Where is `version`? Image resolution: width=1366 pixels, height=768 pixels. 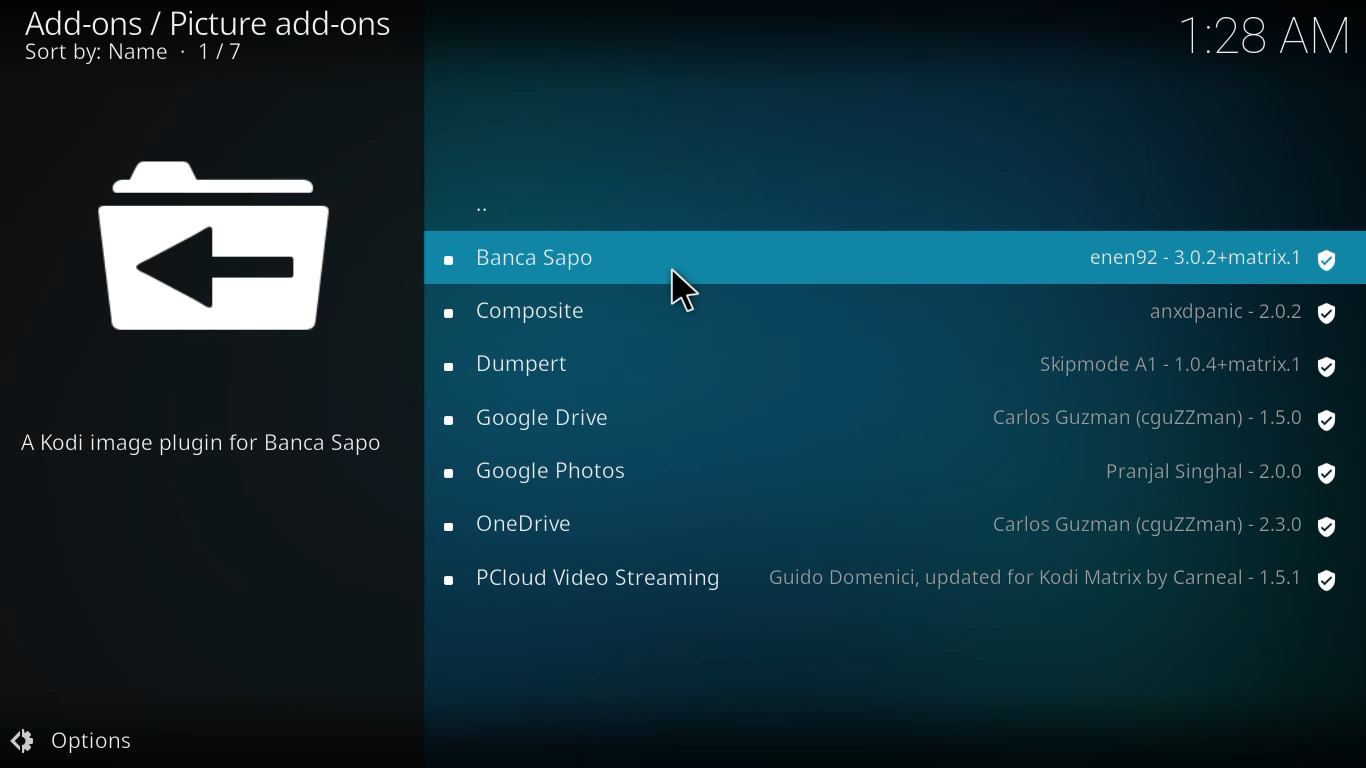
version is located at coordinates (1186, 365).